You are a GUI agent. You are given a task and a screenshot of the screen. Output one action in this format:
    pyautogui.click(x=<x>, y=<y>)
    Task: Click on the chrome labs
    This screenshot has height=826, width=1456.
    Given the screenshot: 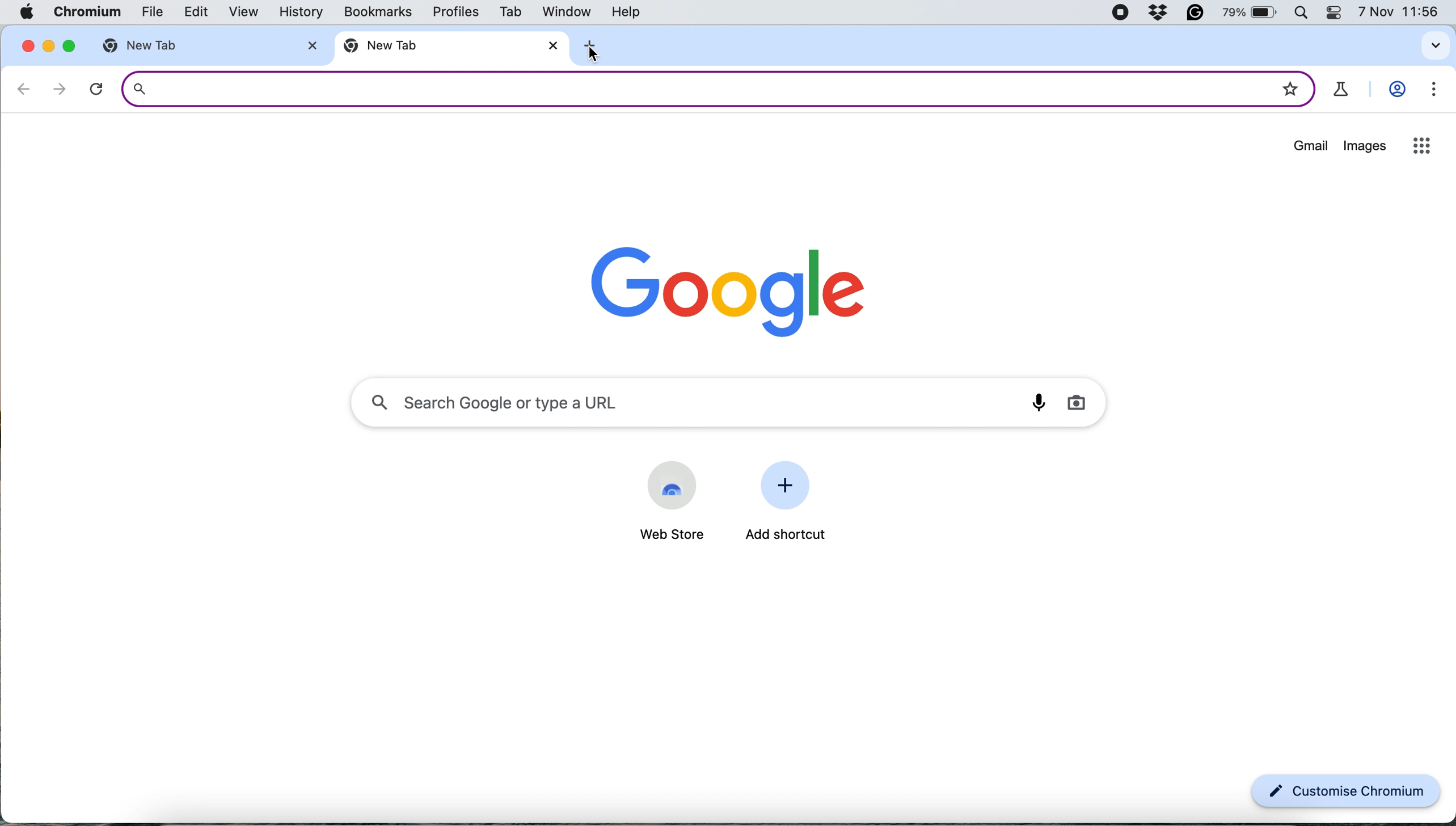 What is the action you would take?
    pyautogui.click(x=1342, y=90)
    